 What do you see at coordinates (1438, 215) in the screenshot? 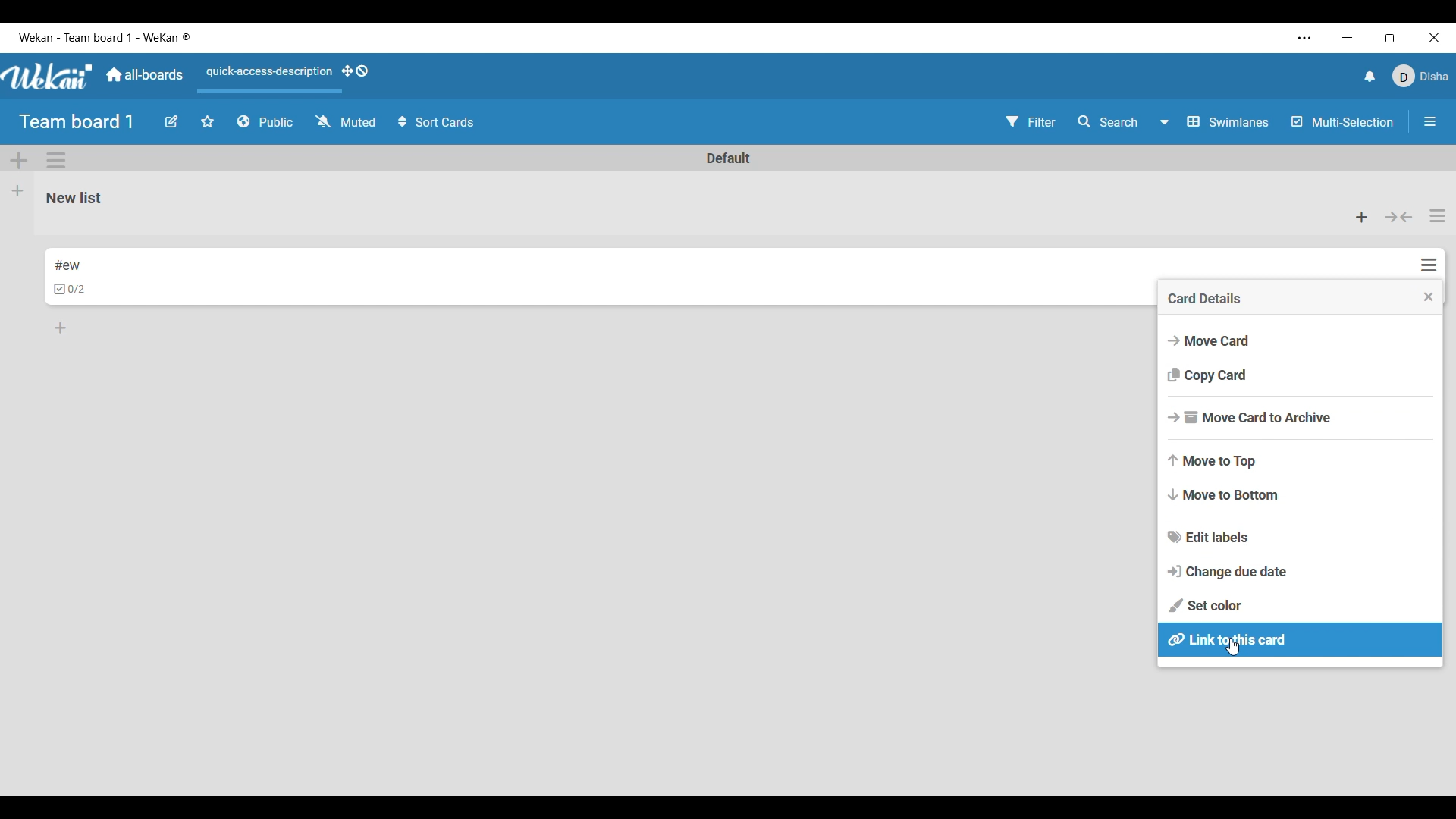
I see `List actions` at bounding box center [1438, 215].